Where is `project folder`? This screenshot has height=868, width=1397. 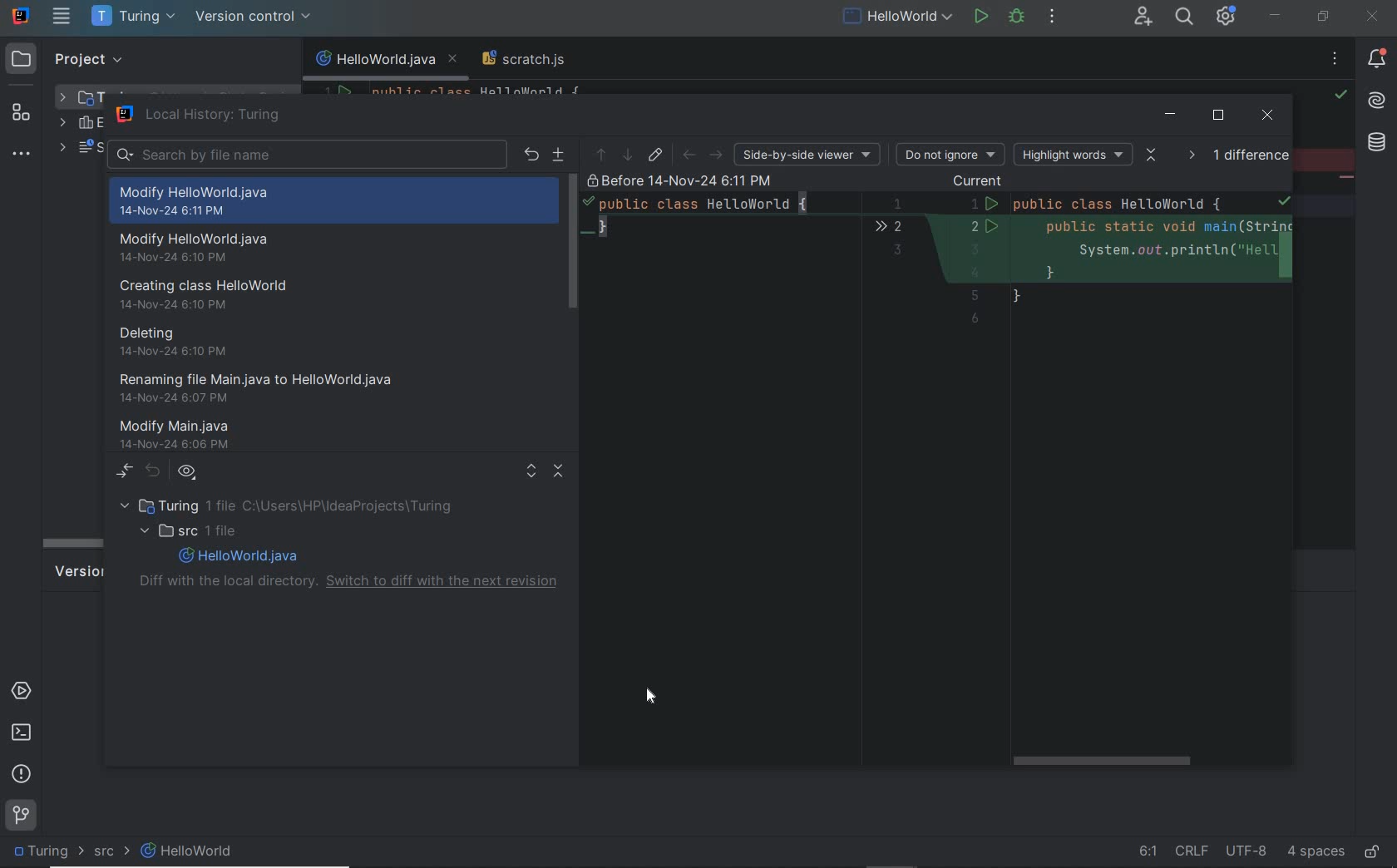 project folder is located at coordinates (295, 506).